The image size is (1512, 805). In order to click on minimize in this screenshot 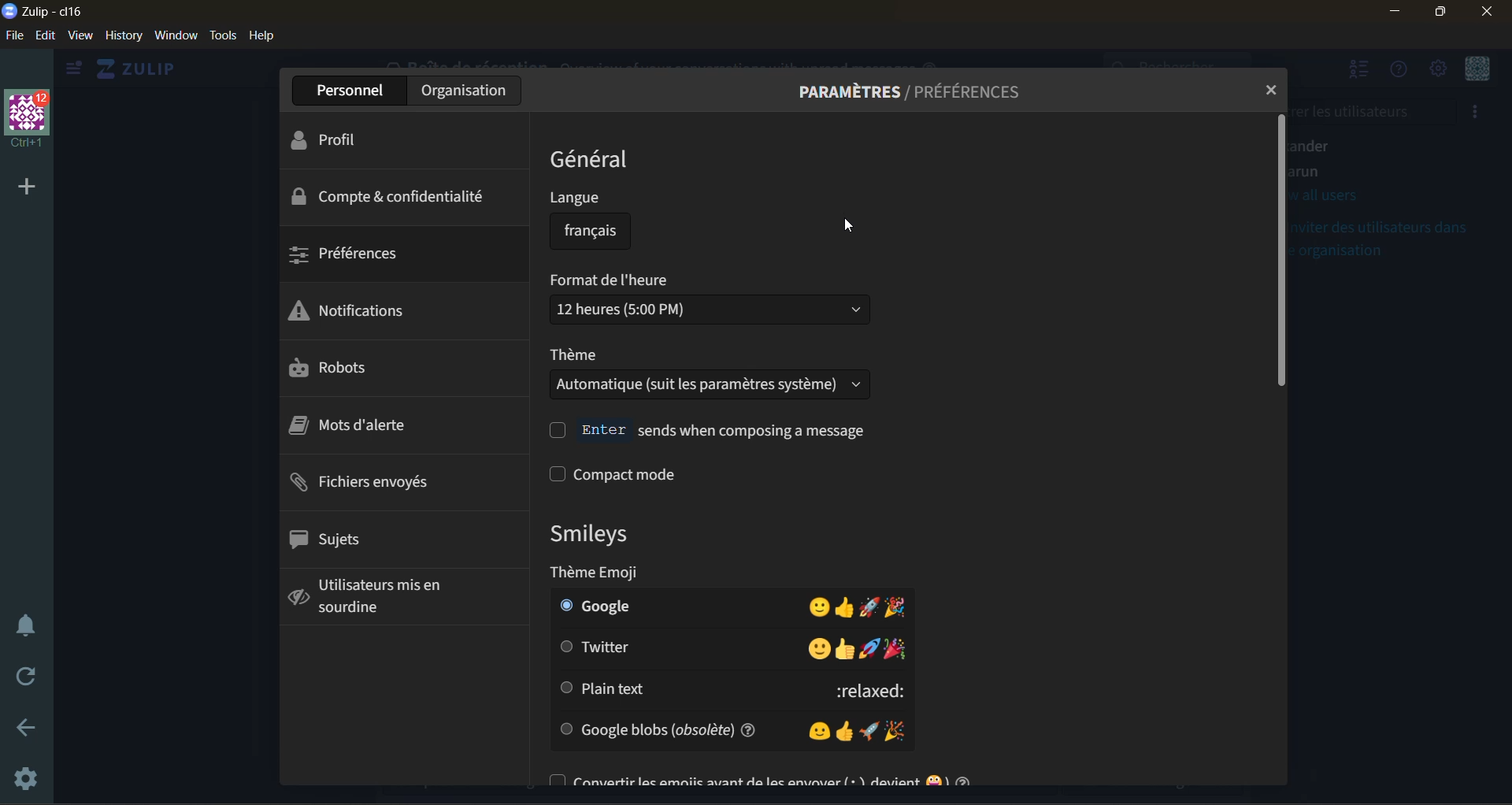, I will do `click(1393, 12)`.